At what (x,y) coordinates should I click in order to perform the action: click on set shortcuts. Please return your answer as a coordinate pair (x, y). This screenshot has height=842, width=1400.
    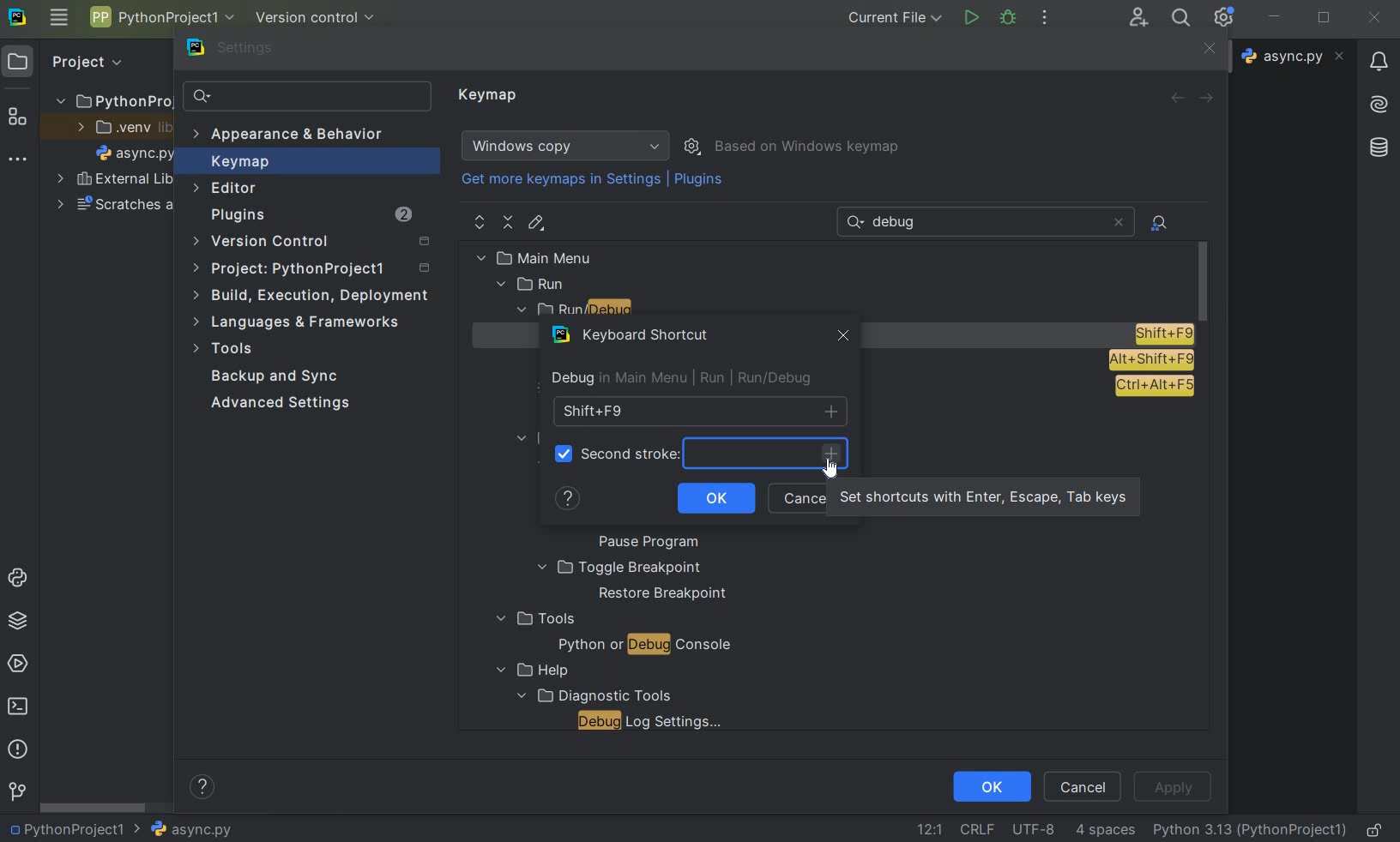
    Looking at the image, I should click on (981, 498).